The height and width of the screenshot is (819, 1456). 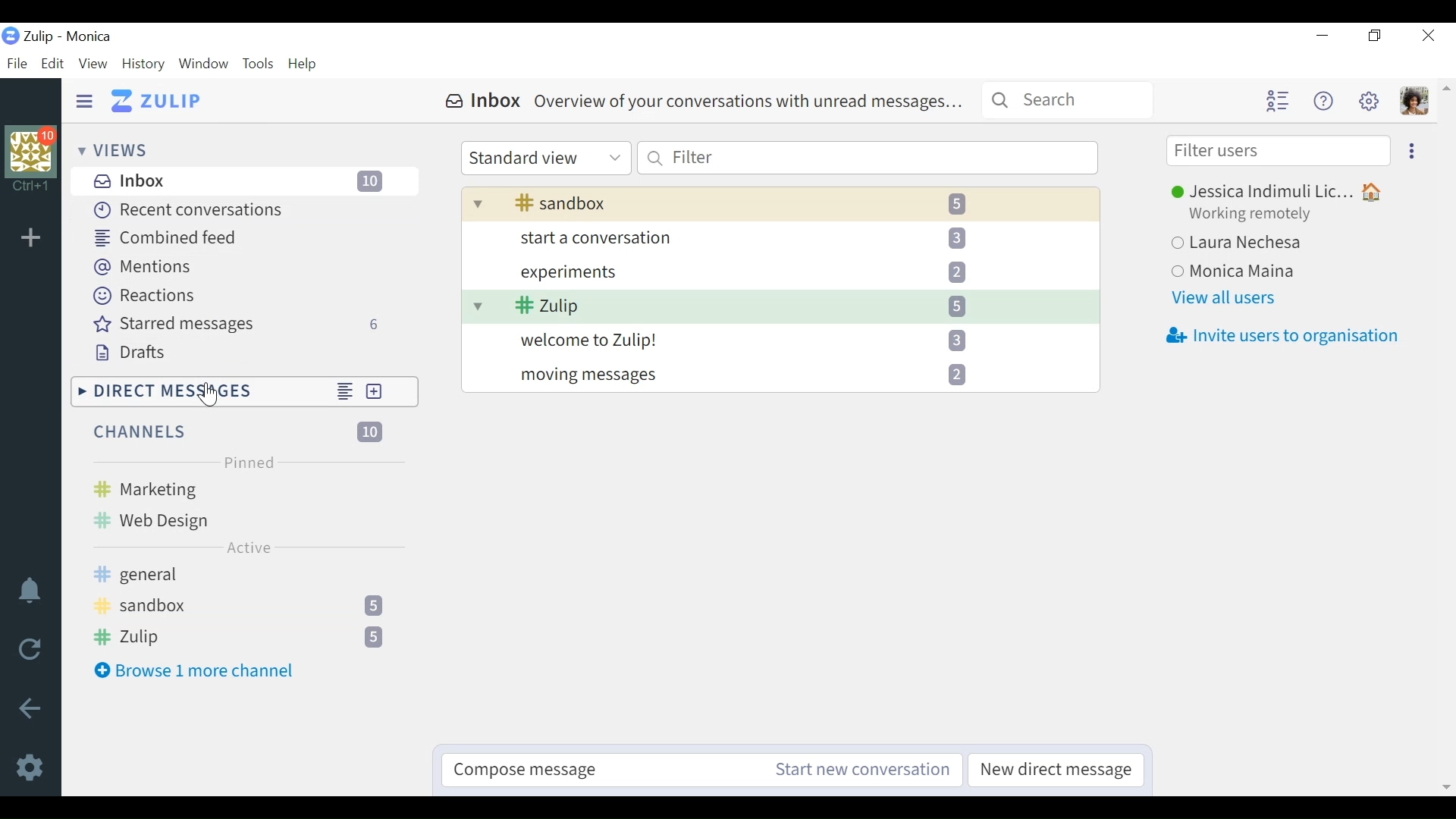 I want to click on Add organisation, so click(x=33, y=237).